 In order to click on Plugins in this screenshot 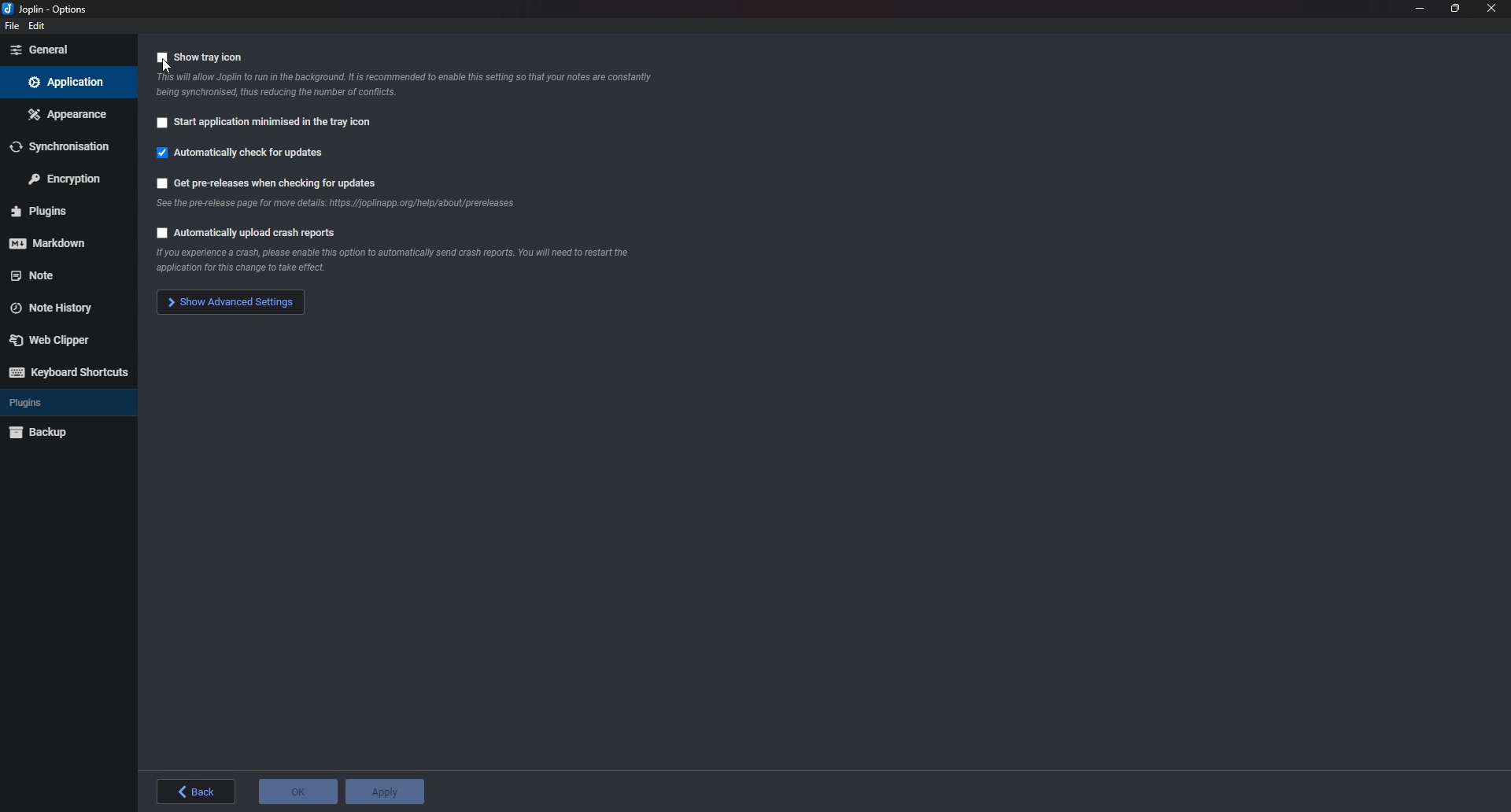, I will do `click(52, 404)`.